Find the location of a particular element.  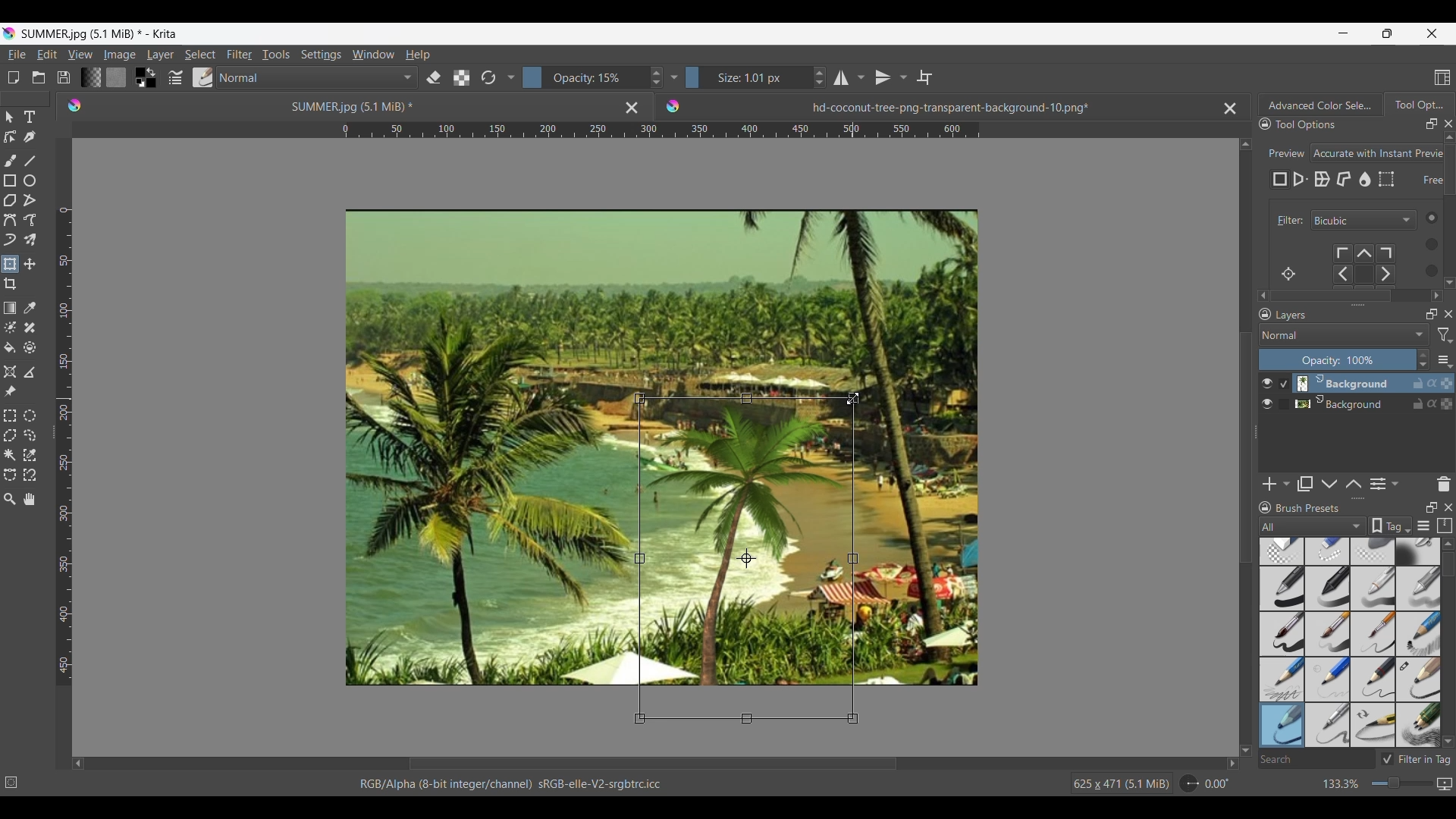

Move layer/mask down is located at coordinates (1329, 485).